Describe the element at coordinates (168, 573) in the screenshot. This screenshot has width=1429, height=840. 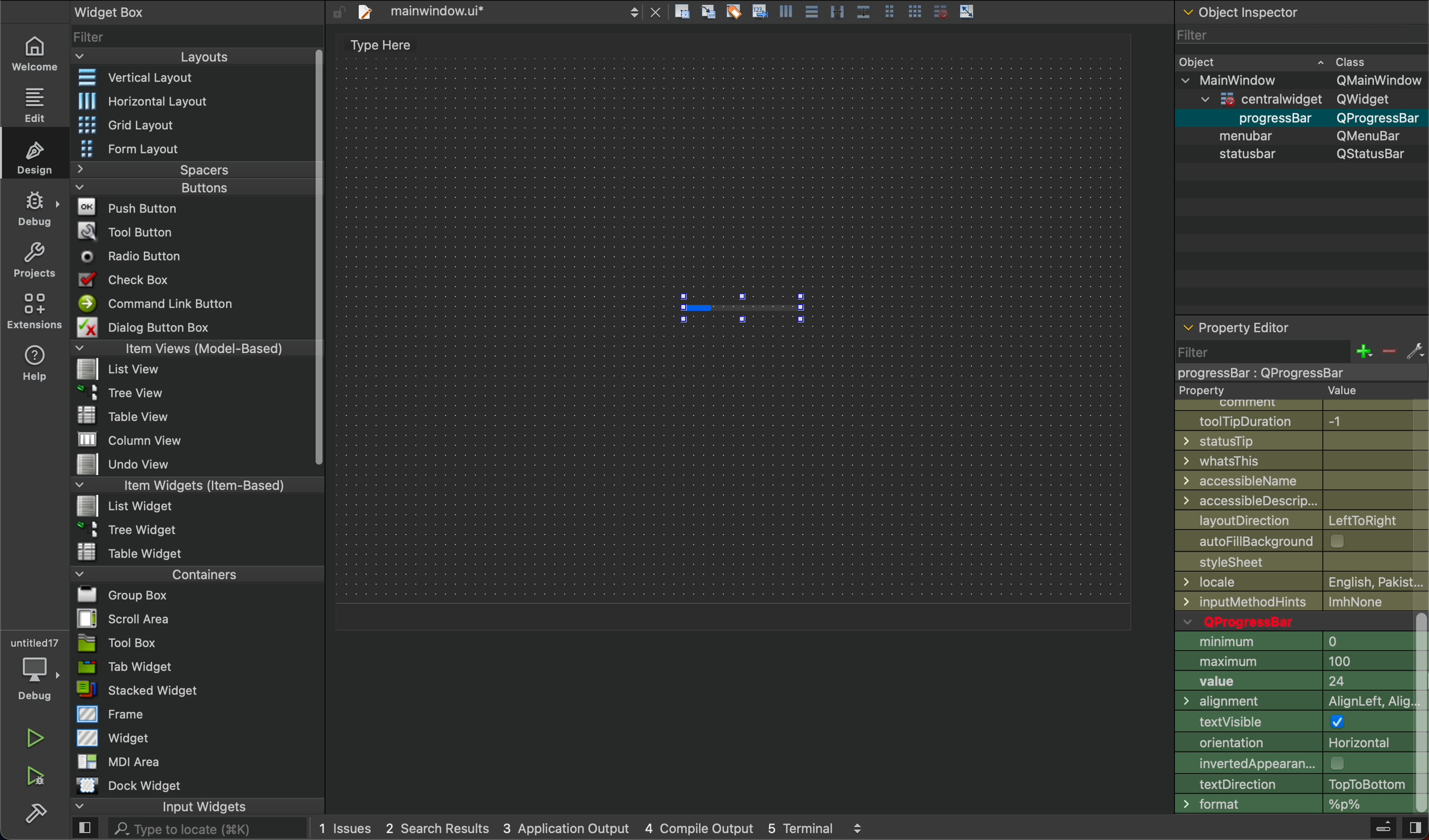
I see `Container` at that location.